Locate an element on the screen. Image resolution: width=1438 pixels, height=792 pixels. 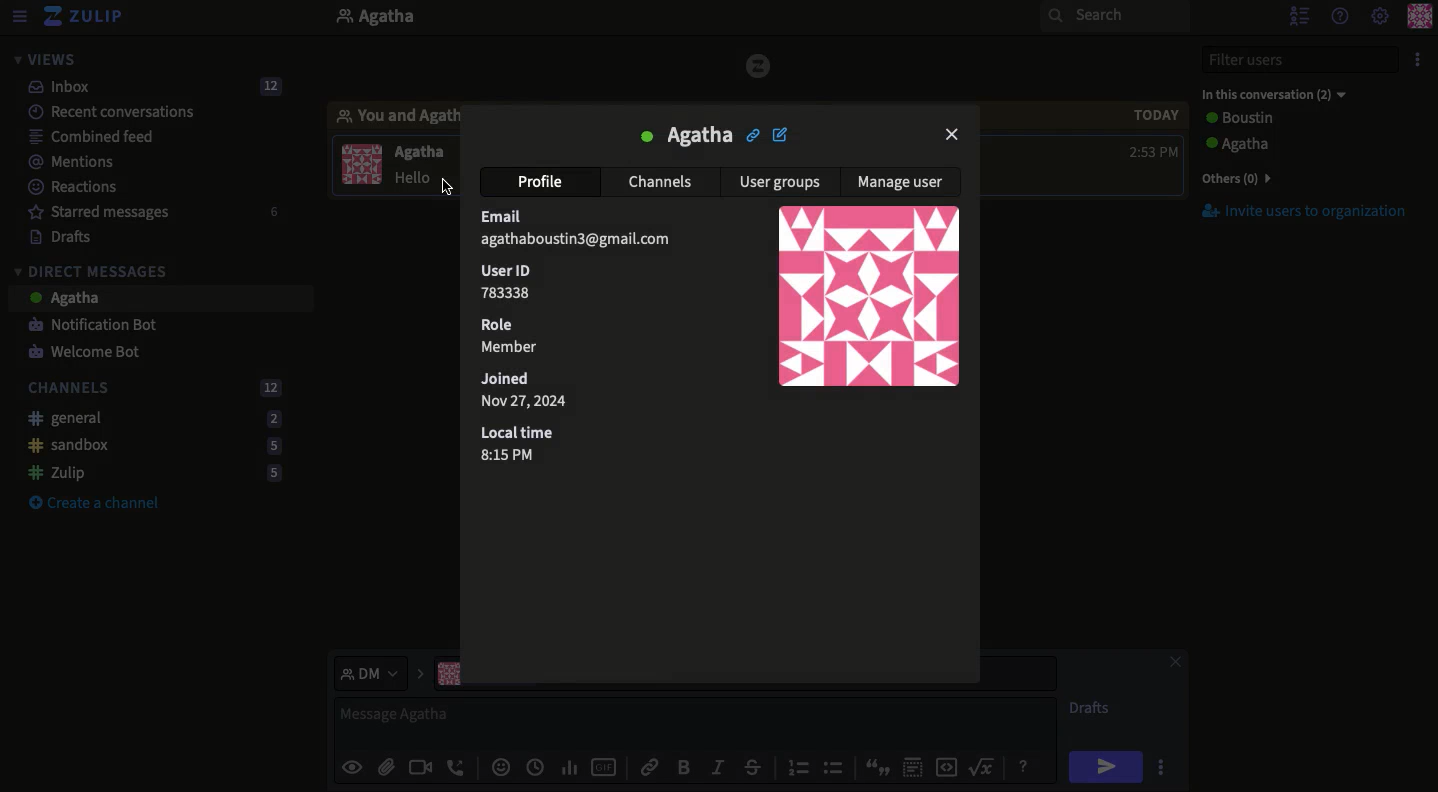
Welcome bot is located at coordinates (93, 351).